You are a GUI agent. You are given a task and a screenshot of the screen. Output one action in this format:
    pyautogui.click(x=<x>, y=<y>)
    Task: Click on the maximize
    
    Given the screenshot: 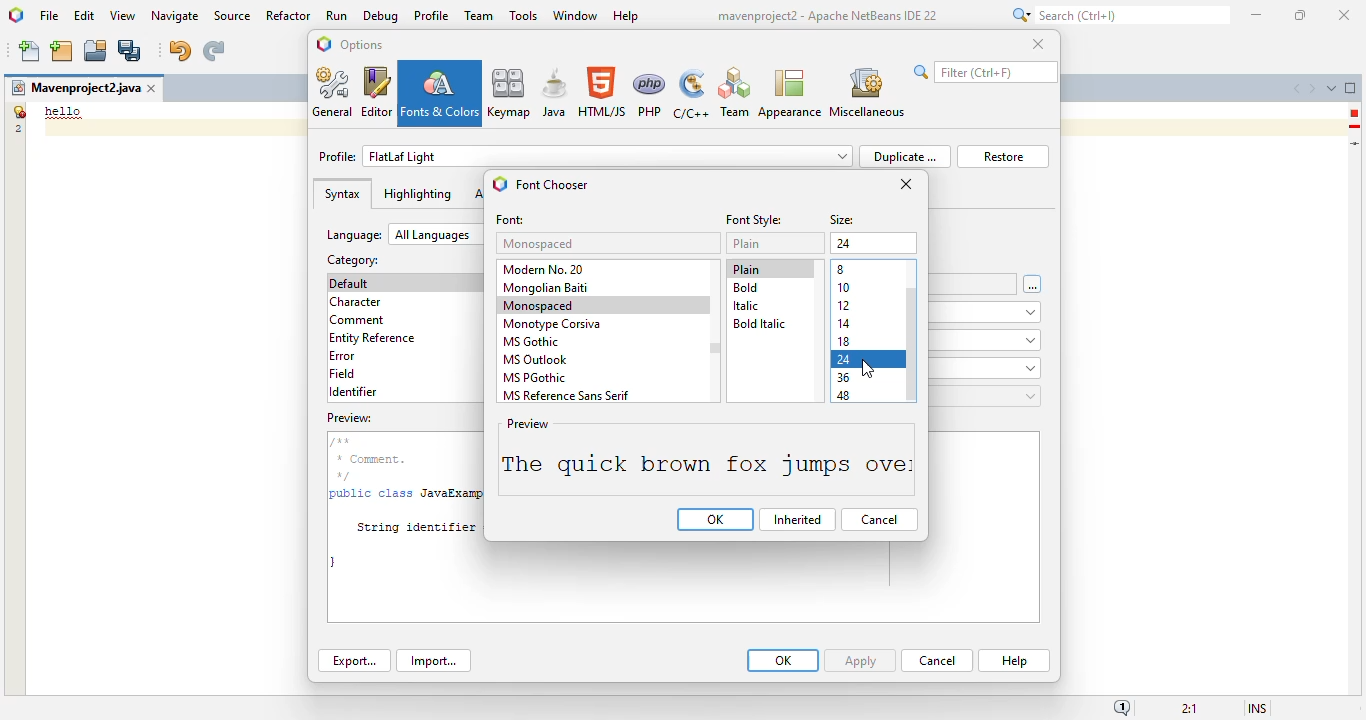 What is the action you would take?
    pyautogui.click(x=1299, y=15)
    